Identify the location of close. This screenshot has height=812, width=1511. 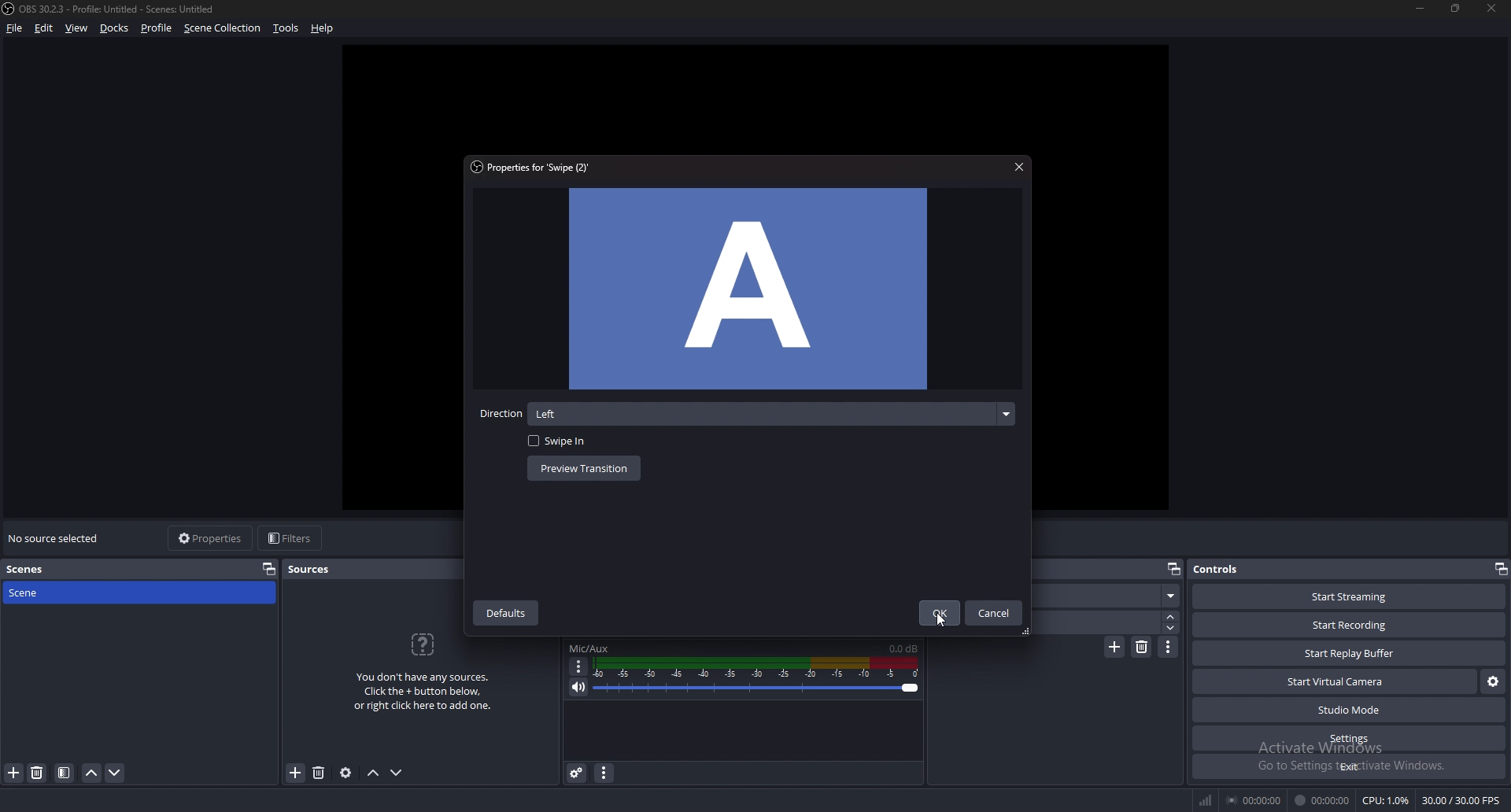
(1490, 9).